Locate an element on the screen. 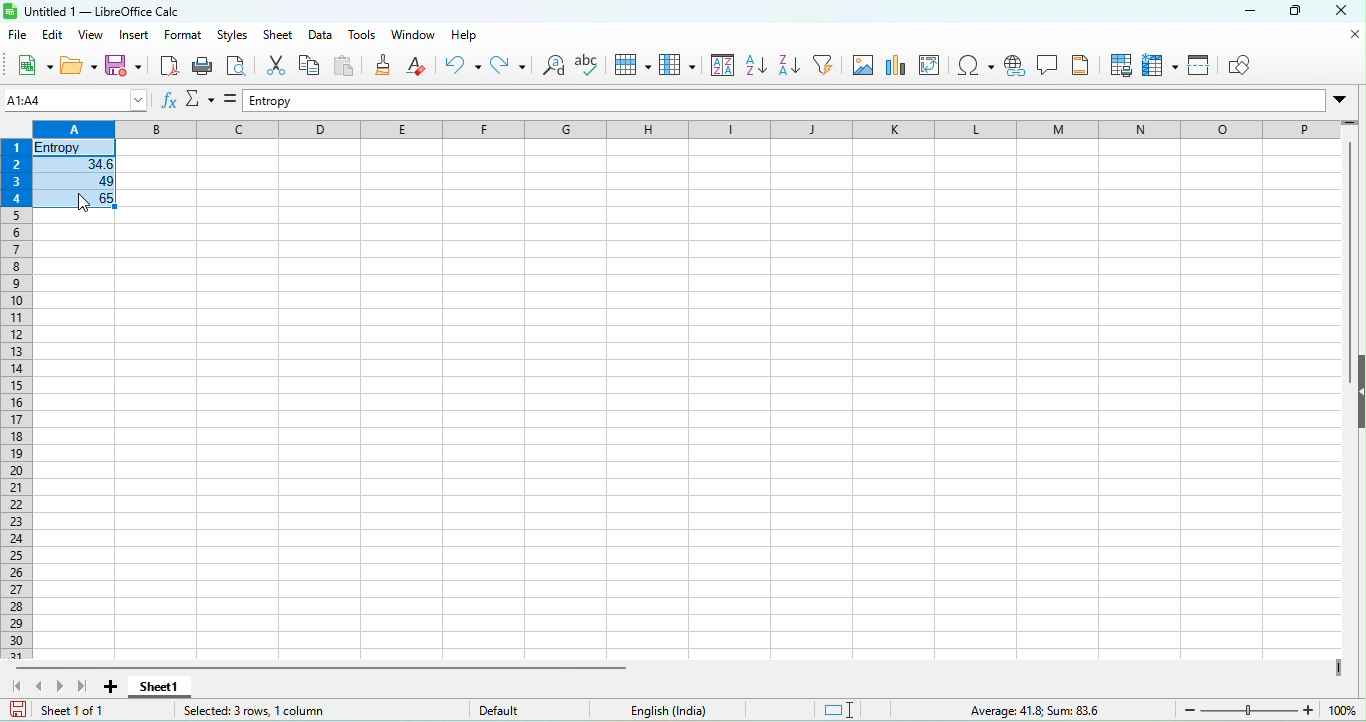 This screenshot has width=1366, height=722. date is located at coordinates (324, 35).